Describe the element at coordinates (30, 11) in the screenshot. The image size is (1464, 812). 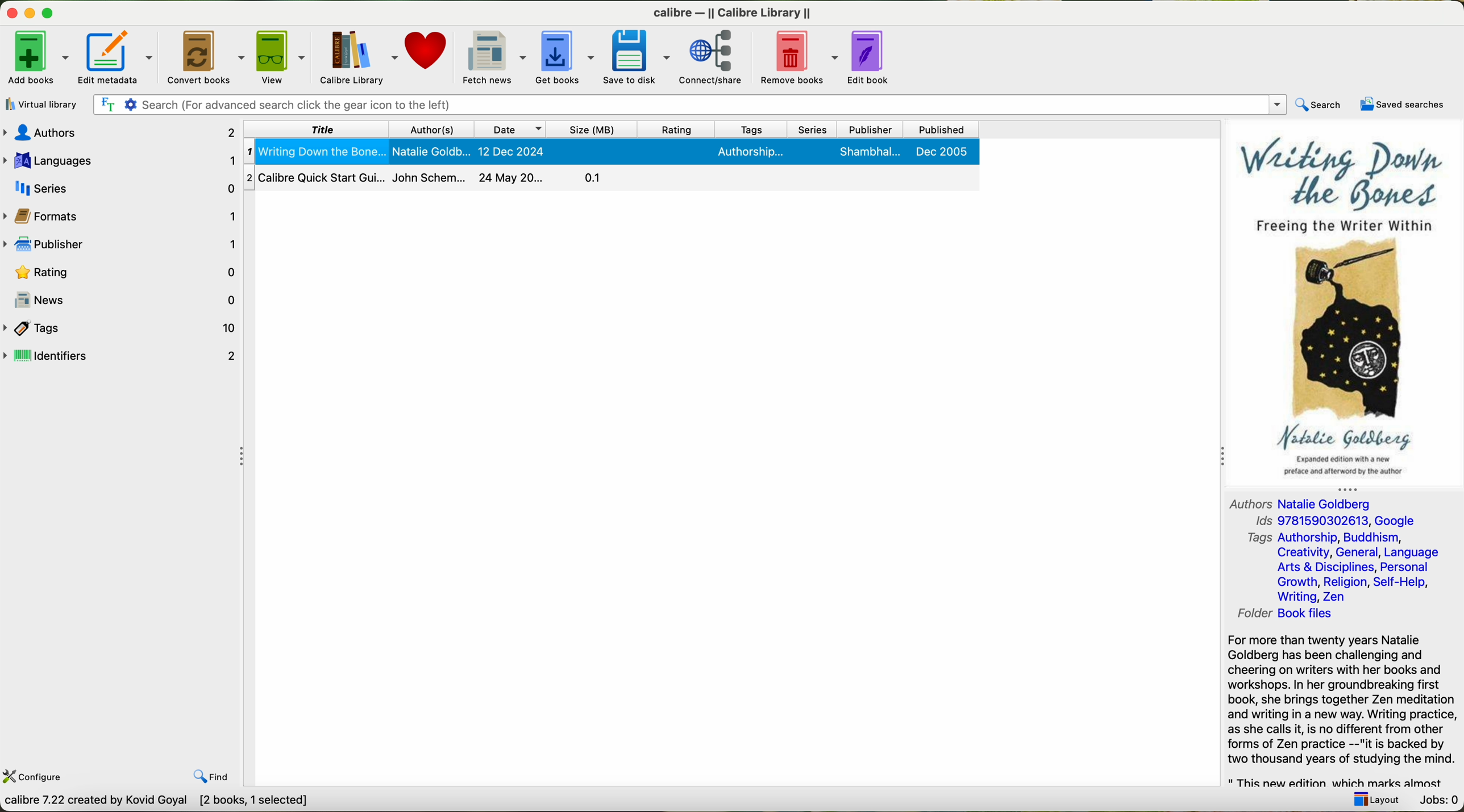
I see `disable buttons` at that location.